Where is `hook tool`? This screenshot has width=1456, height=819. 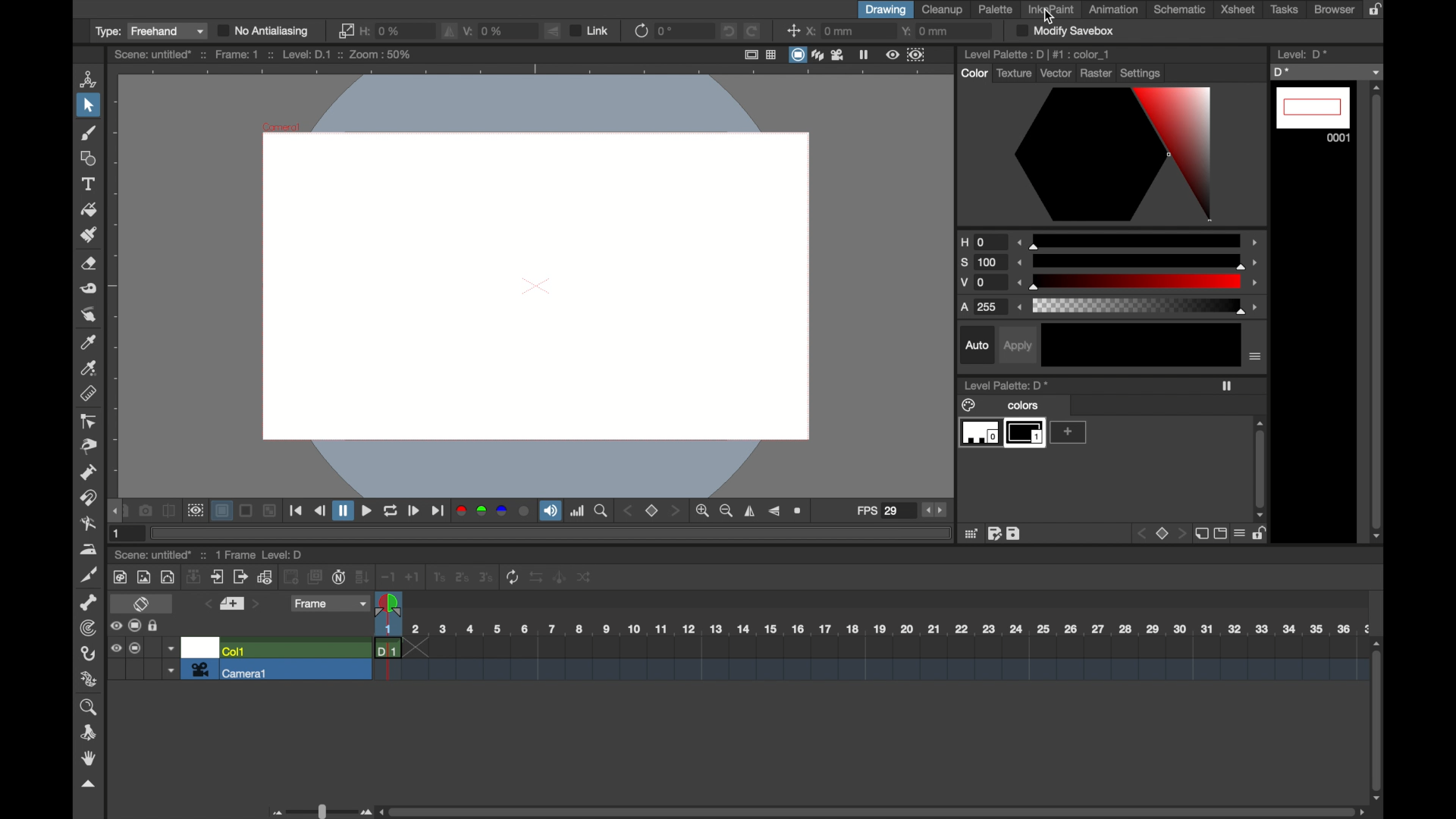
hook tool is located at coordinates (87, 654).